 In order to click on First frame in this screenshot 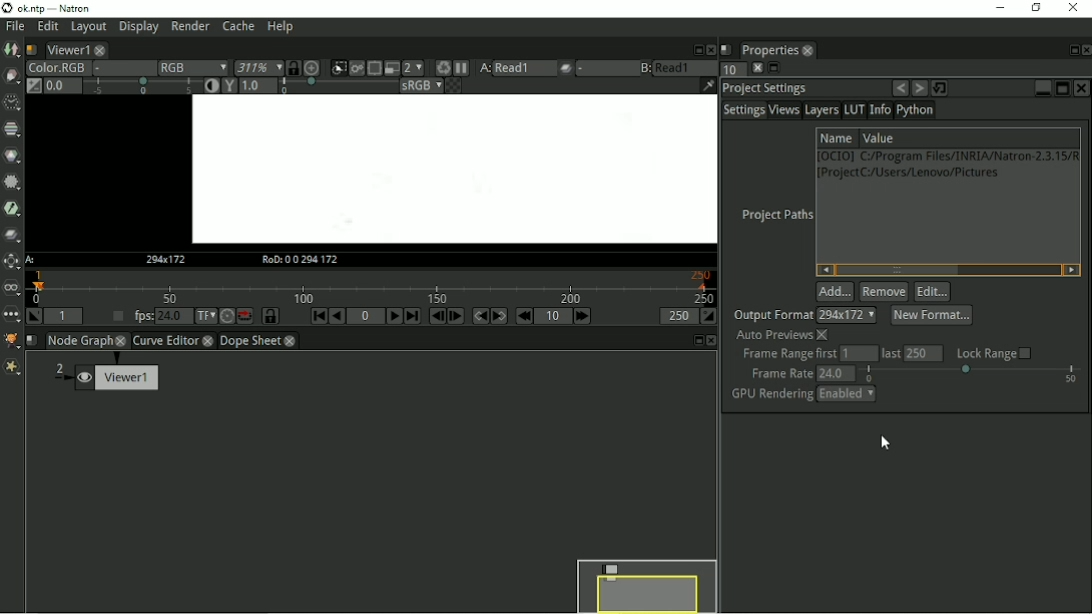, I will do `click(319, 315)`.